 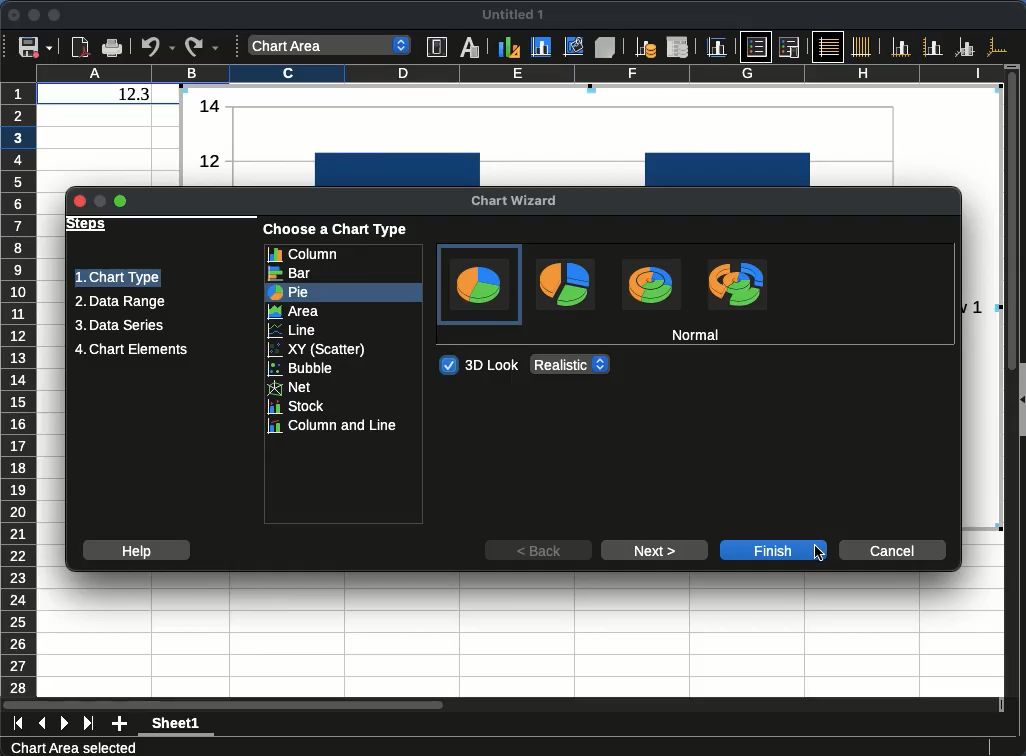 What do you see at coordinates (696, 334) in the screenshot?
I see `normal` at bounding box center [696, 334].